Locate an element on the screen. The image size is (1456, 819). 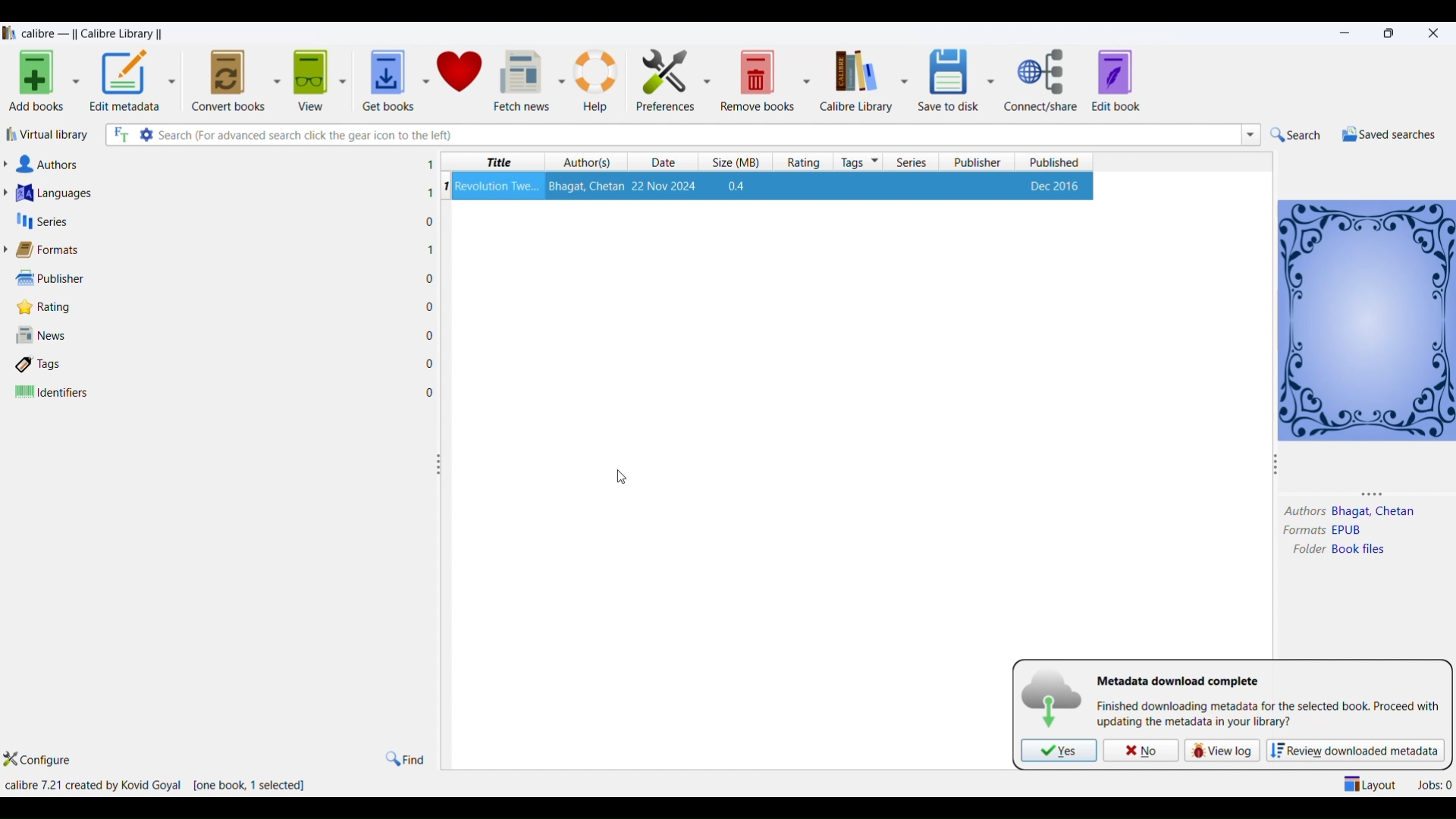
donate to calibre is located at coordinates (461, 74).